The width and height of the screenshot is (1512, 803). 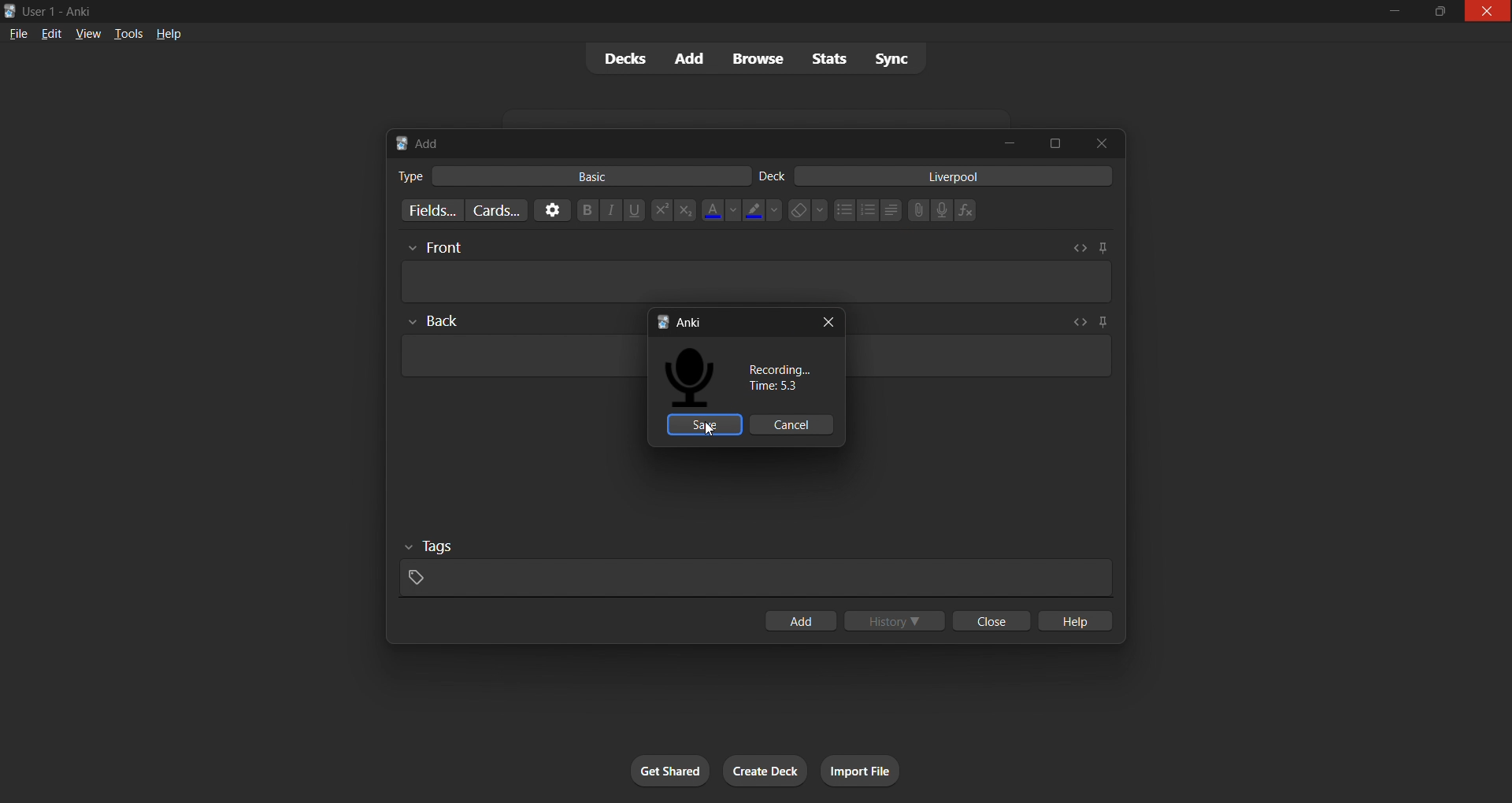 I want to click on maximize/restore, so click(x=1436, y=12).